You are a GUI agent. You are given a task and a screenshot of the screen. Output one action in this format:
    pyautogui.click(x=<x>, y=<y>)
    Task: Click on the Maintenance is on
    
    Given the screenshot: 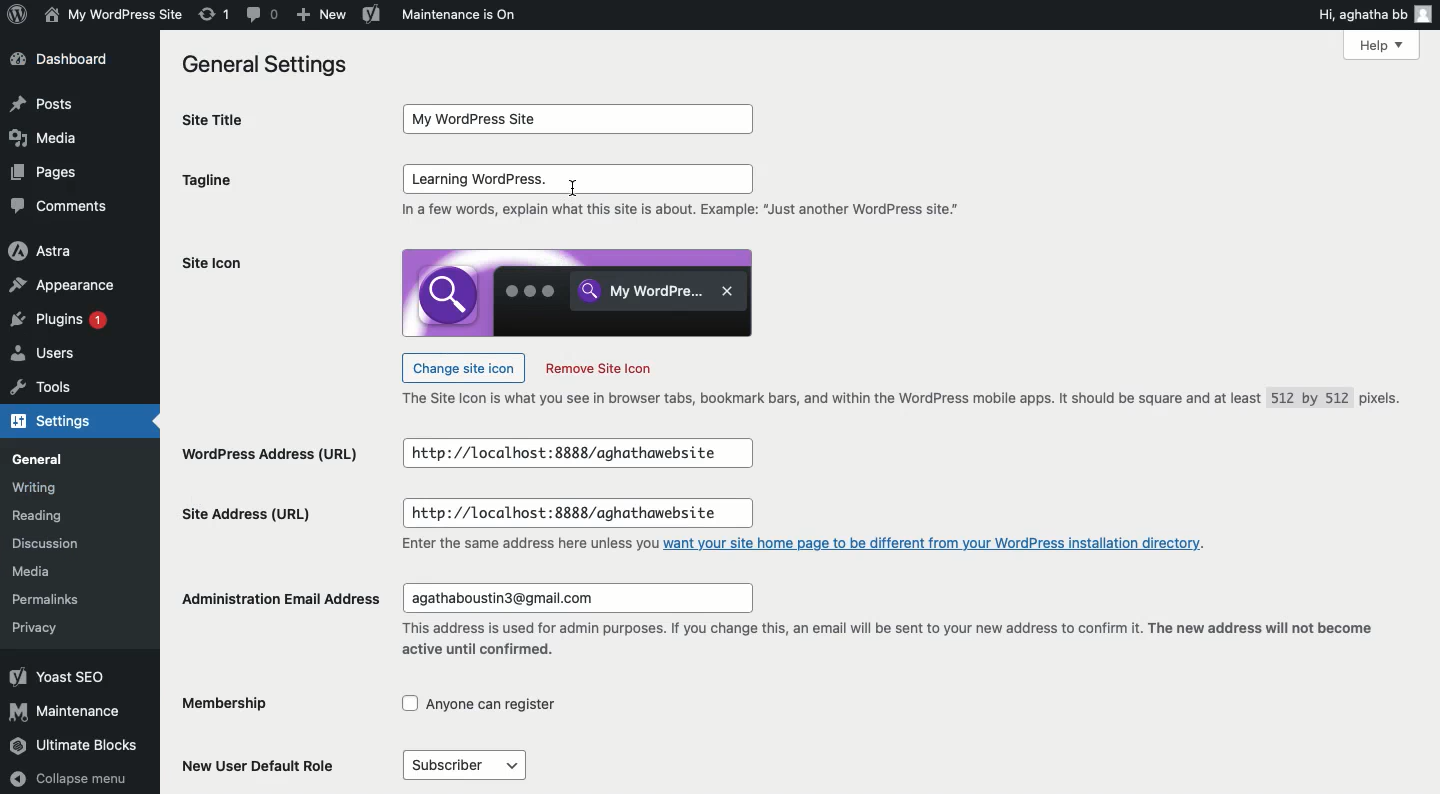 What is the action you would take?
    pyautogui.click(x=459, y=14)
    